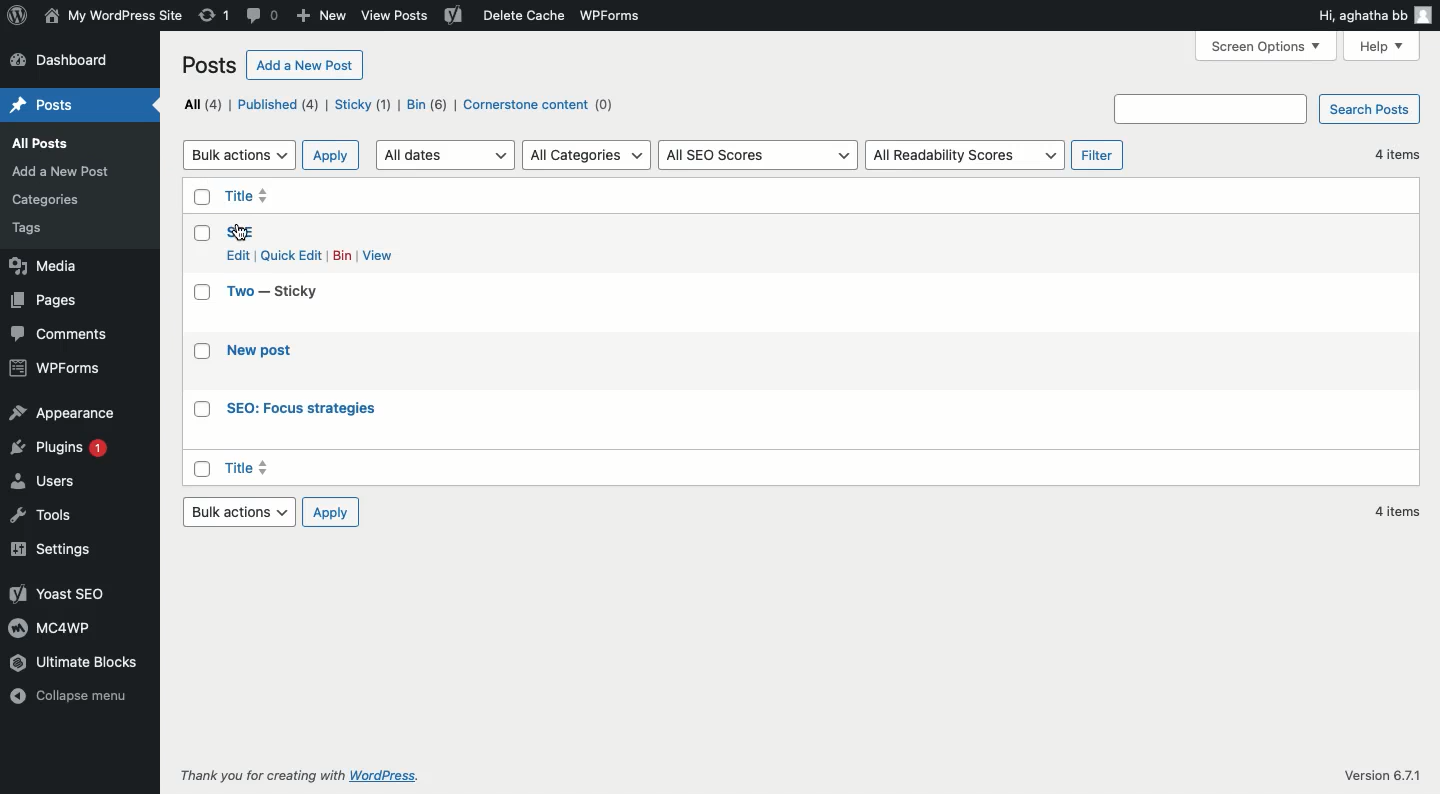 The height and width of the screenshot is (794, 1440). What do you see at coordinates (305, 65) in the screenshot?
I see `Add a new post` at bounding box center [305, 65].